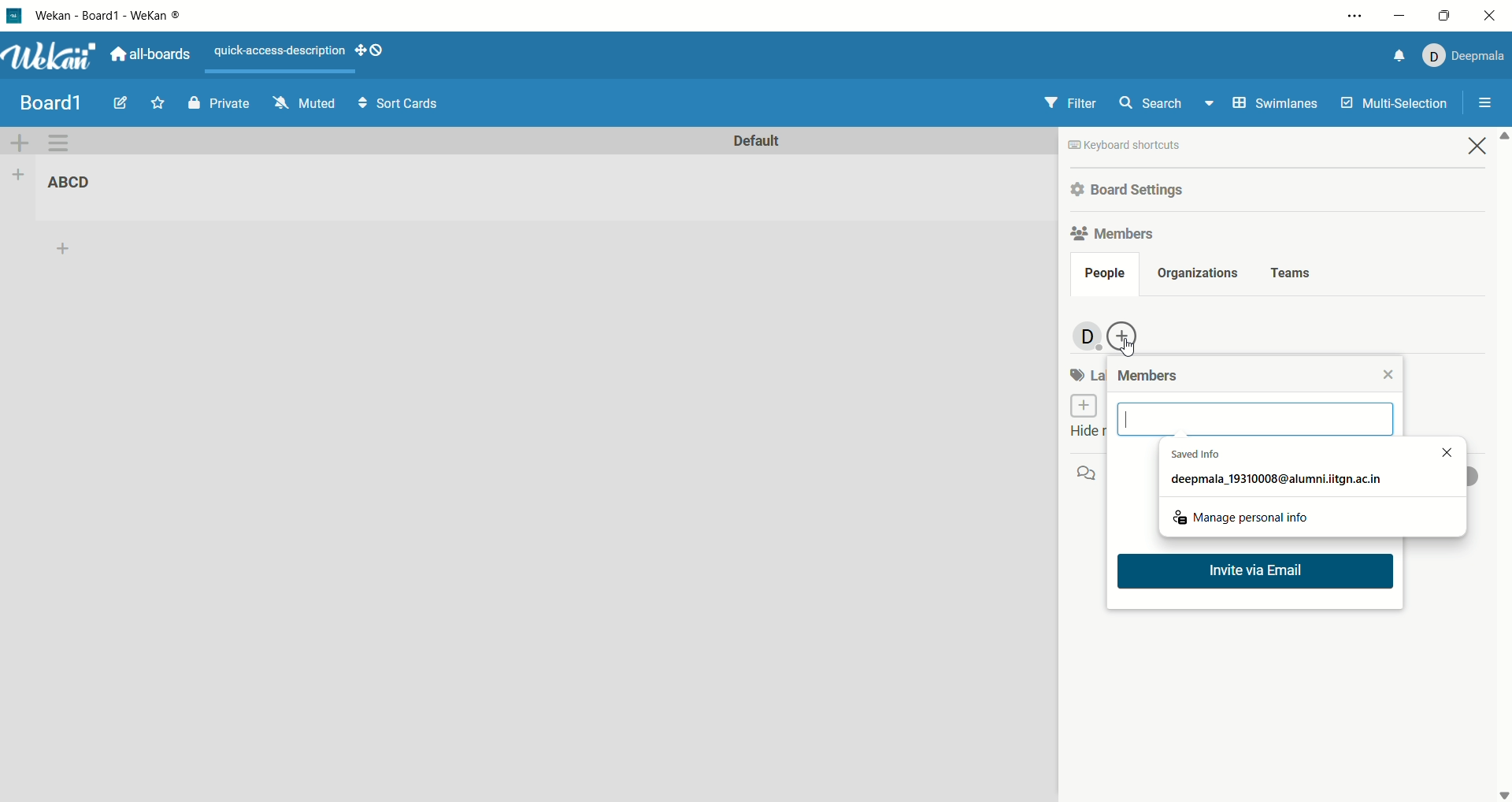 This screenshot has width=1512, height=802. What do you see at coordinates (1131, 191) in the screenshot?
I see `board settings` at bounding box center [1131, 191].